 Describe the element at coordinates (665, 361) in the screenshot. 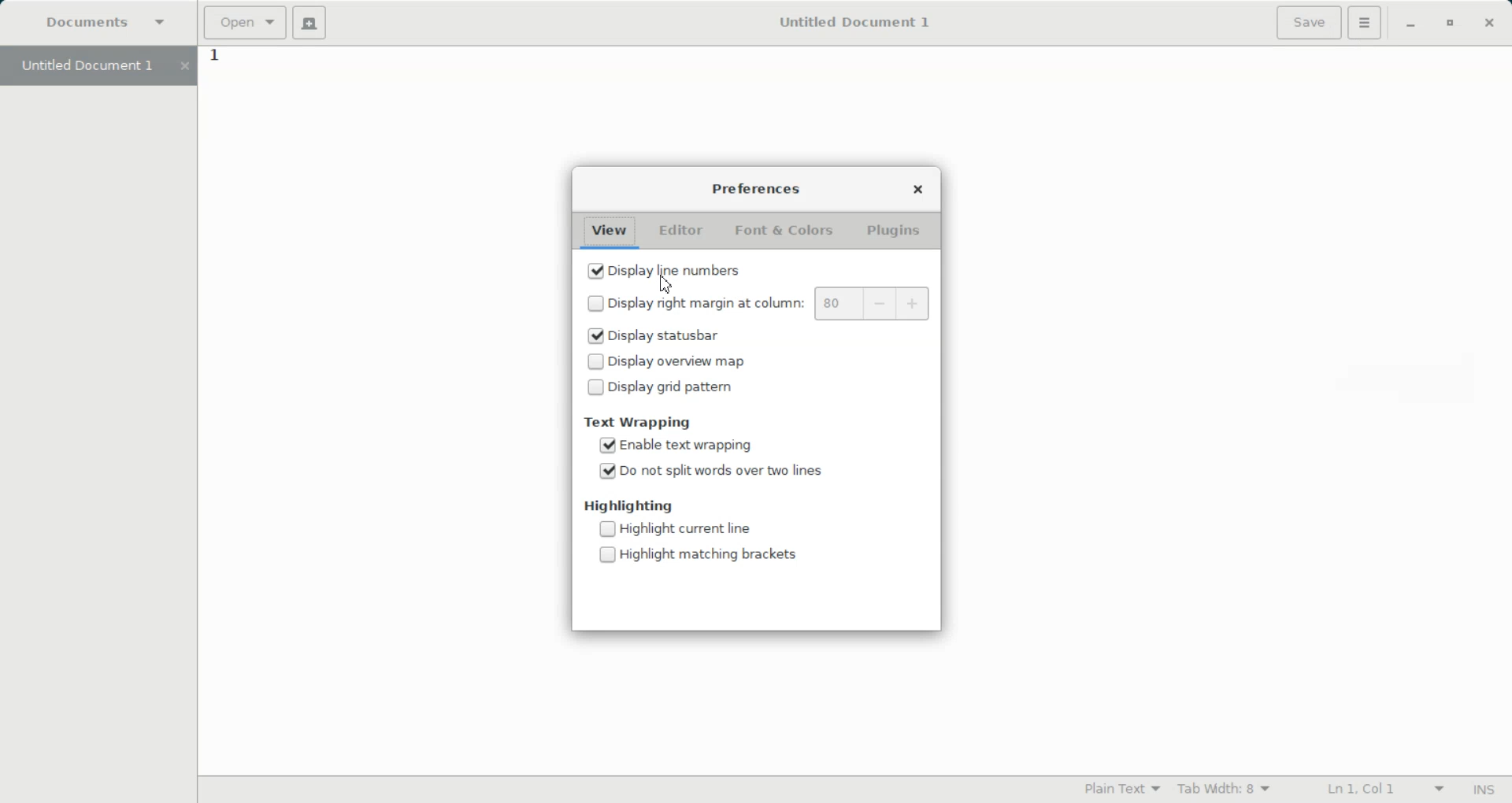

I see `(un)check Disable Display oversize map` at that location.